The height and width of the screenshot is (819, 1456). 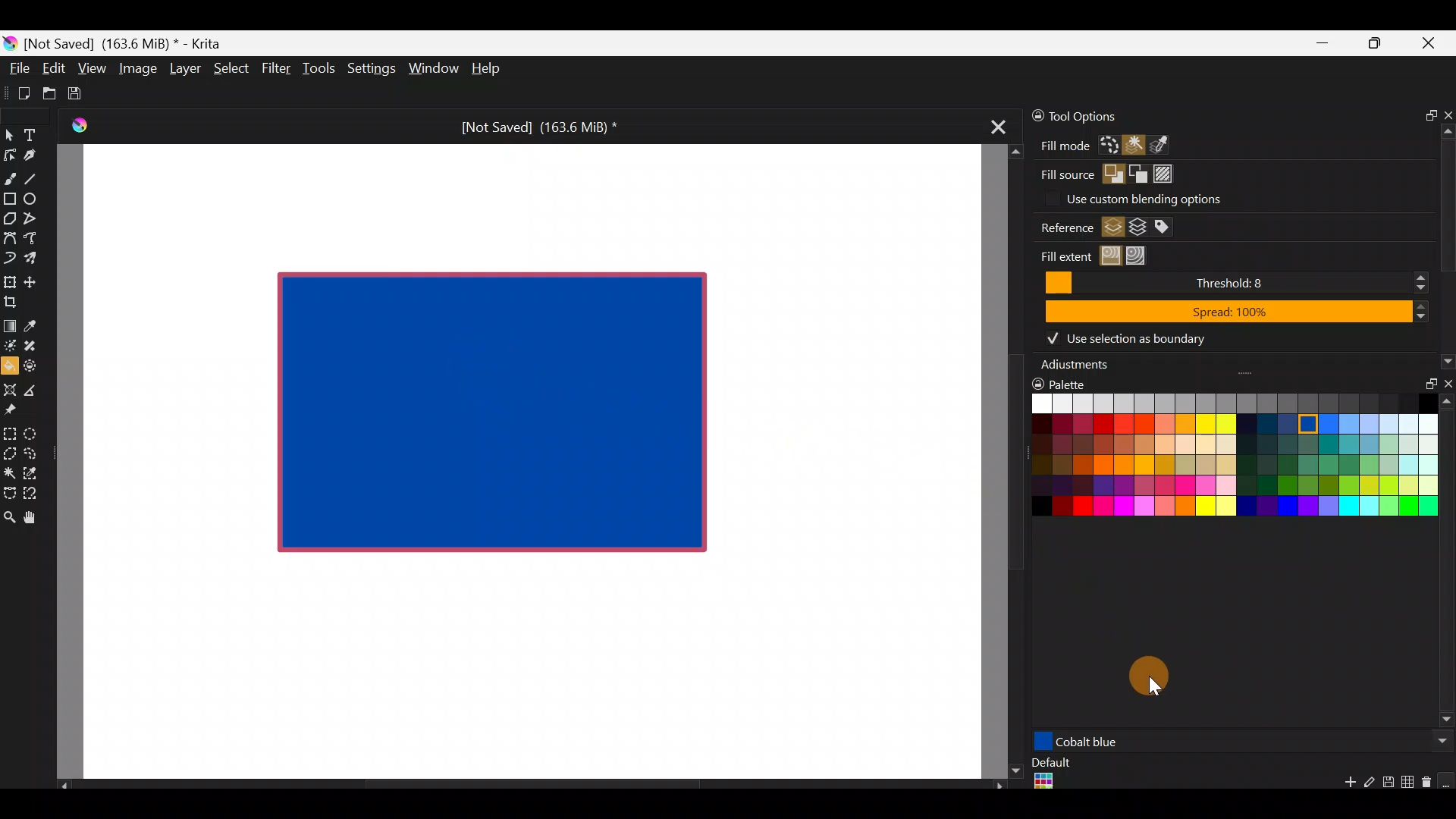 What do you see at coordinates (1410, 784) in the screenshot?
I see `Edit current palette` at bounding box center [1410, 784].